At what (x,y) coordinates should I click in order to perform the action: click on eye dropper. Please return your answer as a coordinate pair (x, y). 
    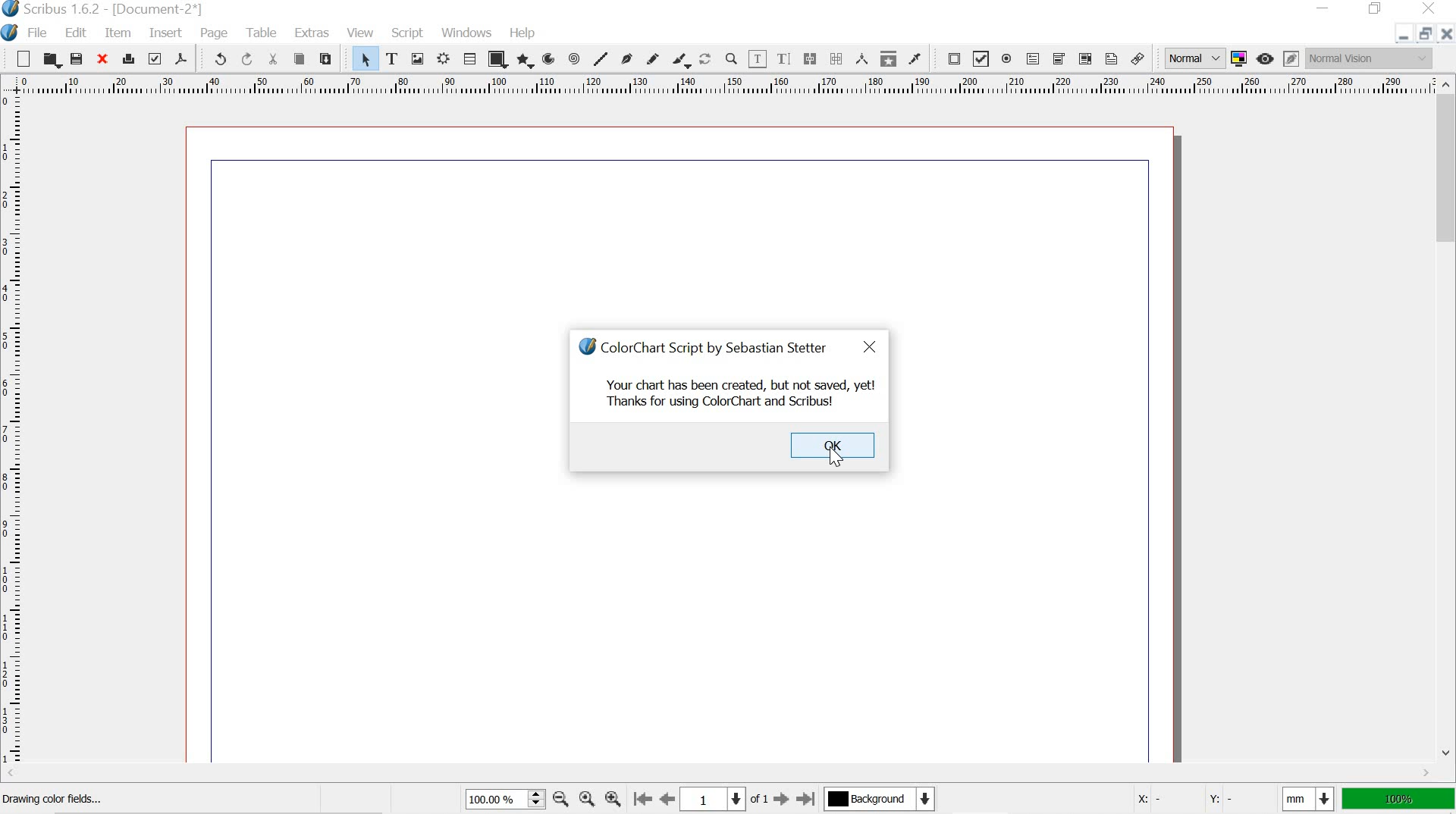
    Looking at the image, I should click on (915, 59).